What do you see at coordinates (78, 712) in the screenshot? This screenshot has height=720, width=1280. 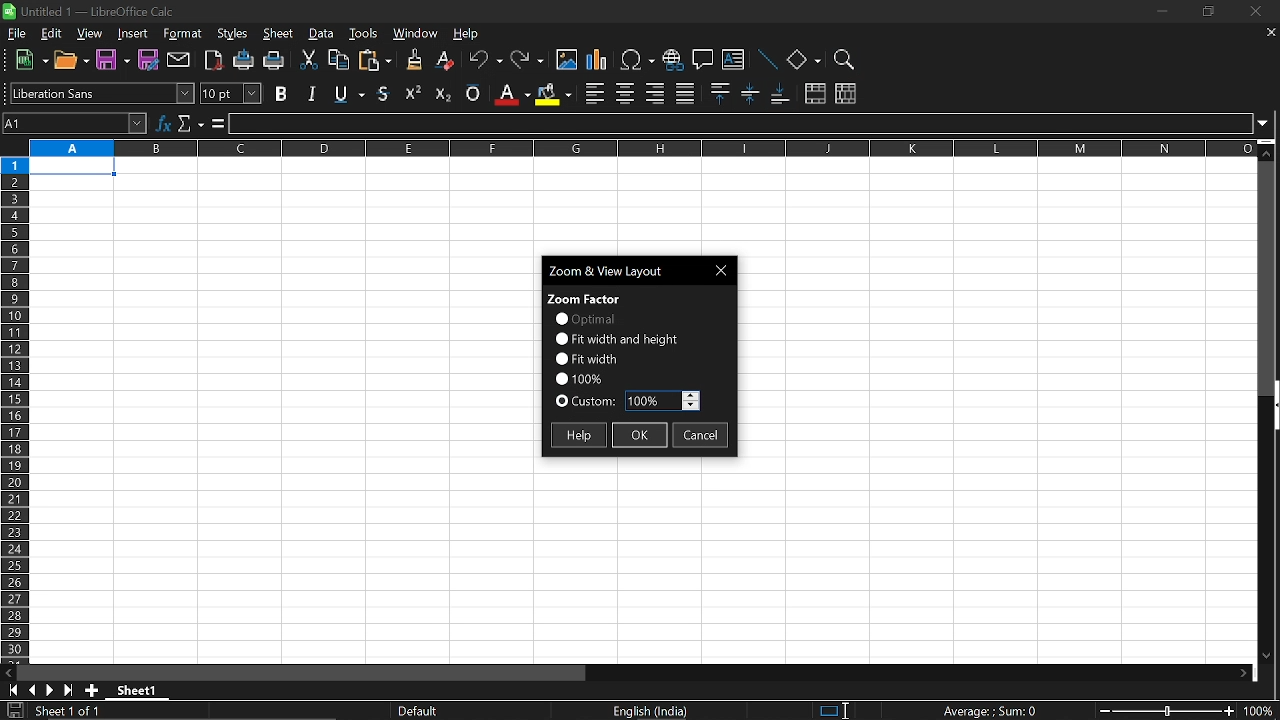 I see `current sheet` at bounding box center [78, 712].